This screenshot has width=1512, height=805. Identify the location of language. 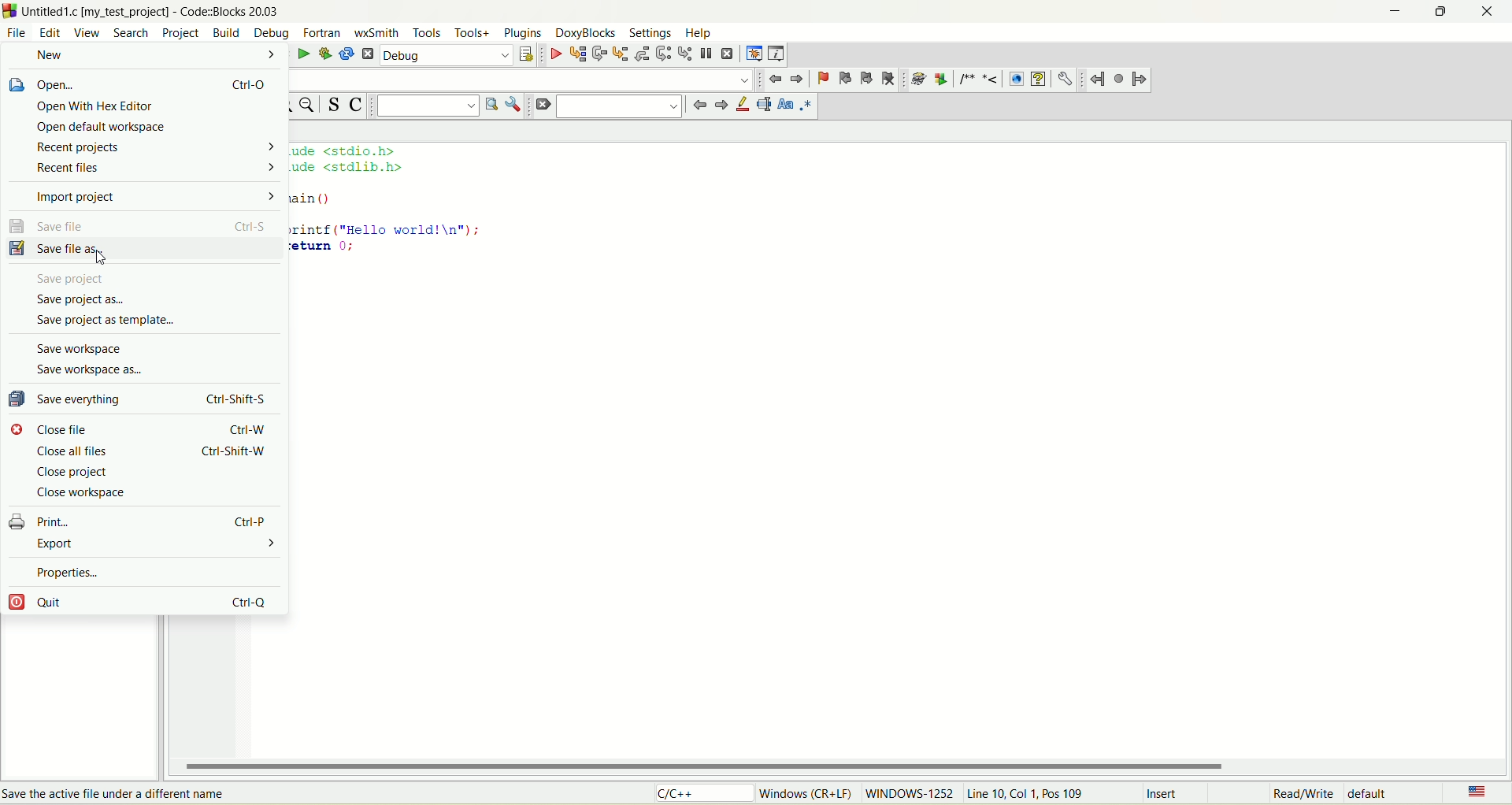
(1475, 793).